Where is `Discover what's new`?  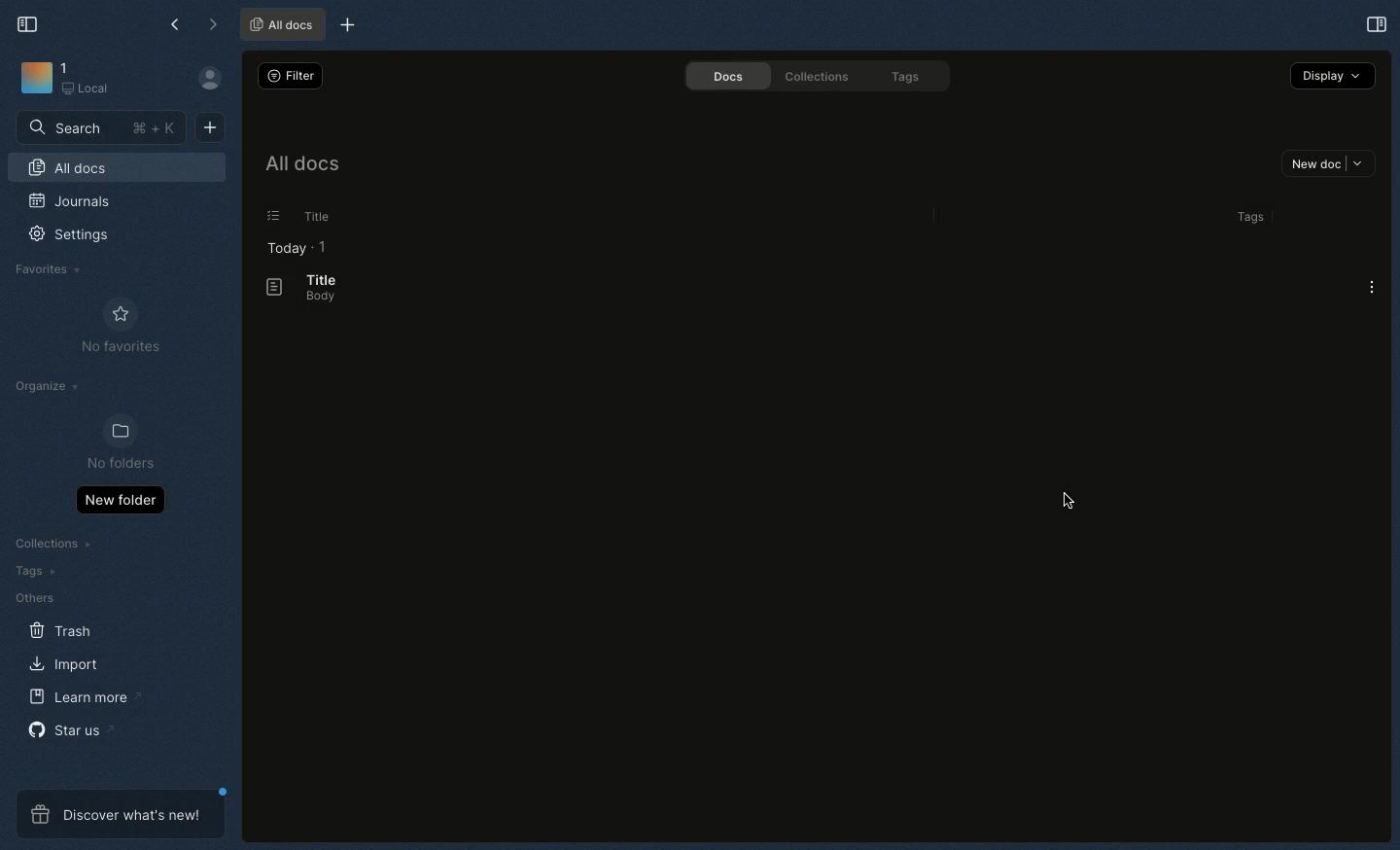
Discover what's new is located at coordinates (121, 814).